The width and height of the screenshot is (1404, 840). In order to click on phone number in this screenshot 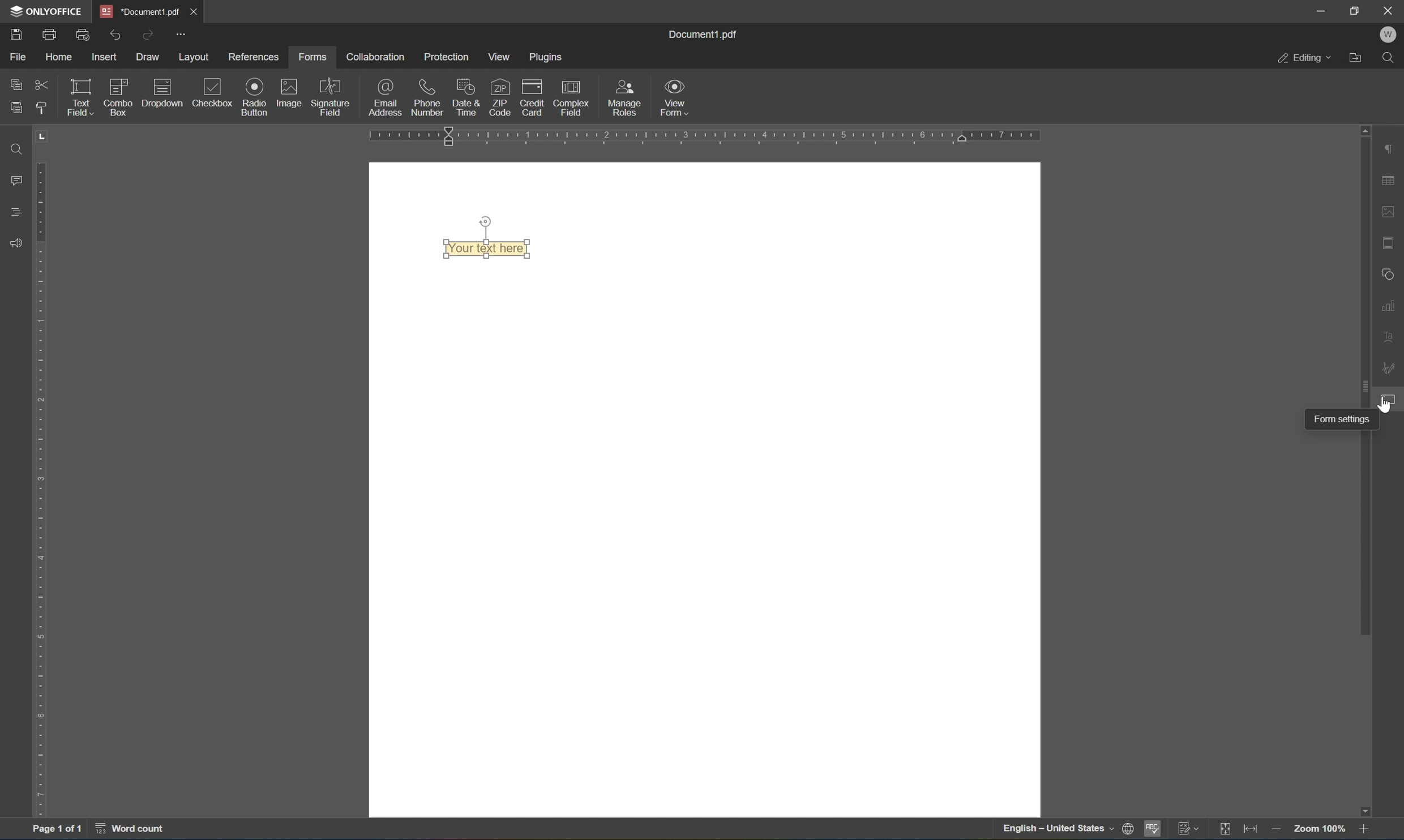, I will do `click(426, 96)`.